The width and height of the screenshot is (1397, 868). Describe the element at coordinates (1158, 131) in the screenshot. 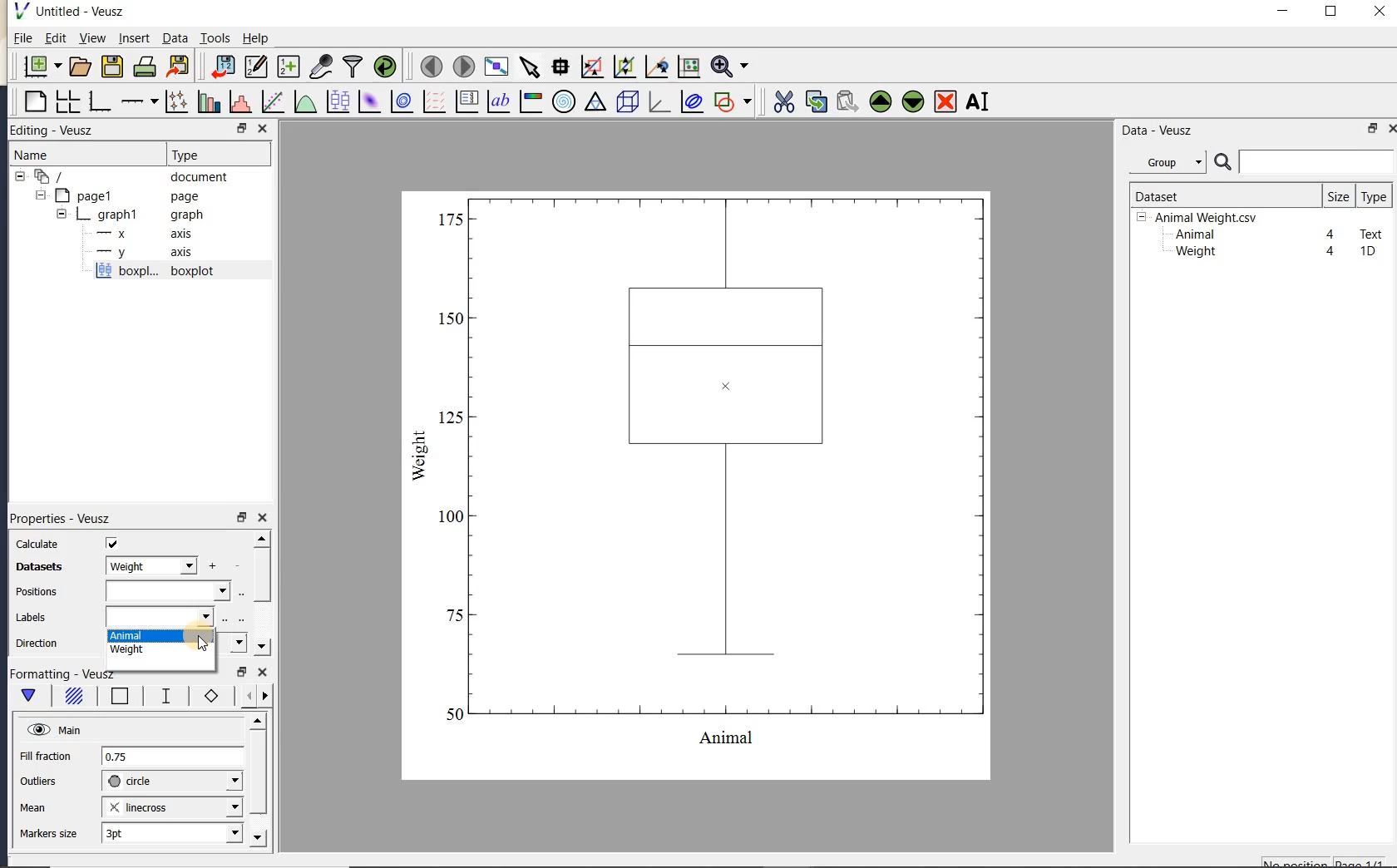

I see `Data-Veusz` at that location.